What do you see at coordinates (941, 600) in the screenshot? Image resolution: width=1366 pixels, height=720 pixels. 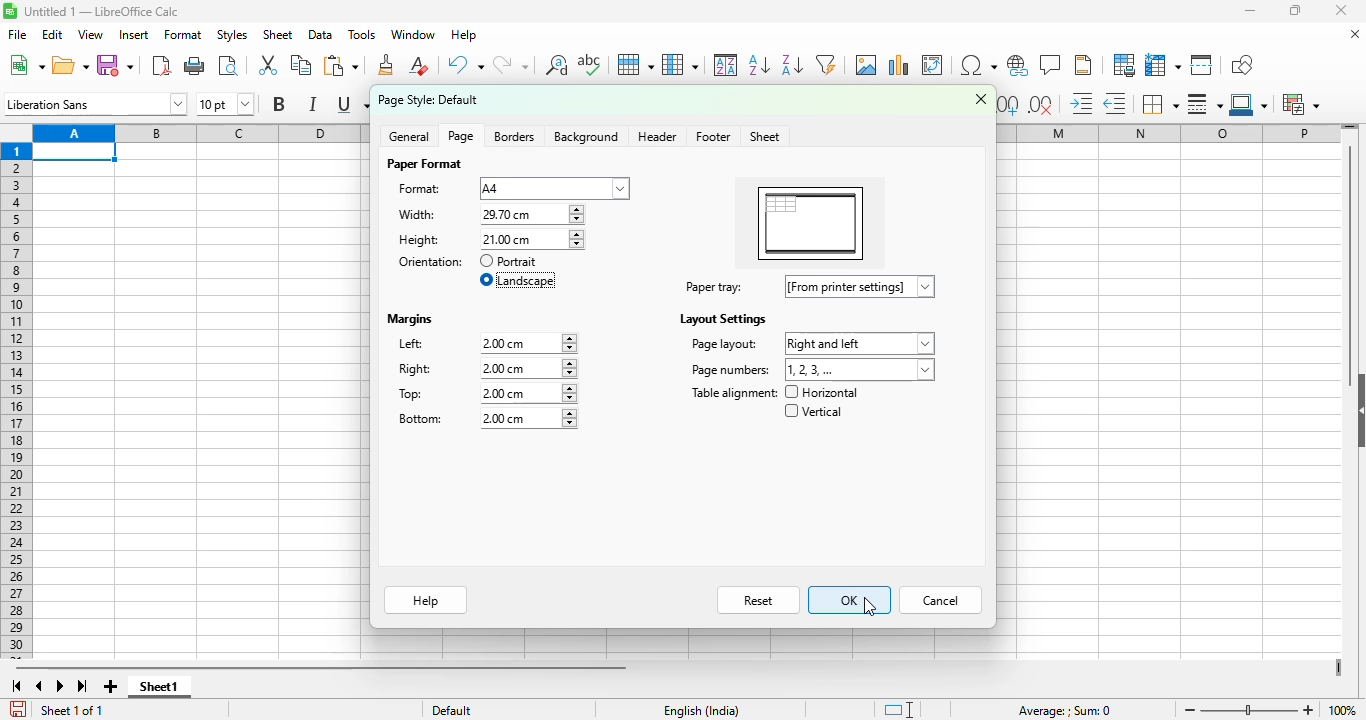 I see `cancel` at bounding box center [941, 600].